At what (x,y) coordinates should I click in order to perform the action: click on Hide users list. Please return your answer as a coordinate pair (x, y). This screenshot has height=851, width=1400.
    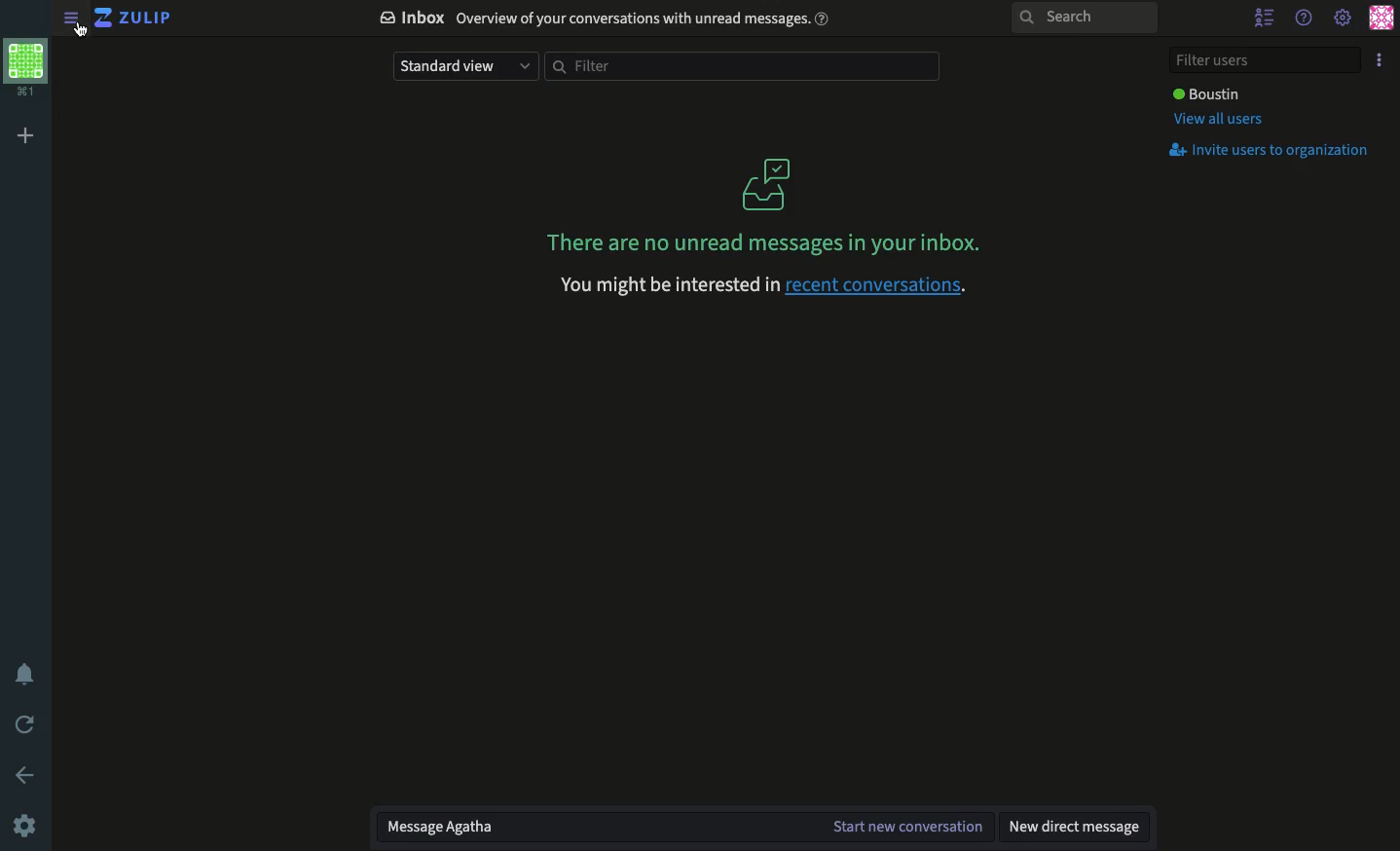
    Looking at the image, I should click on (1266, 18).